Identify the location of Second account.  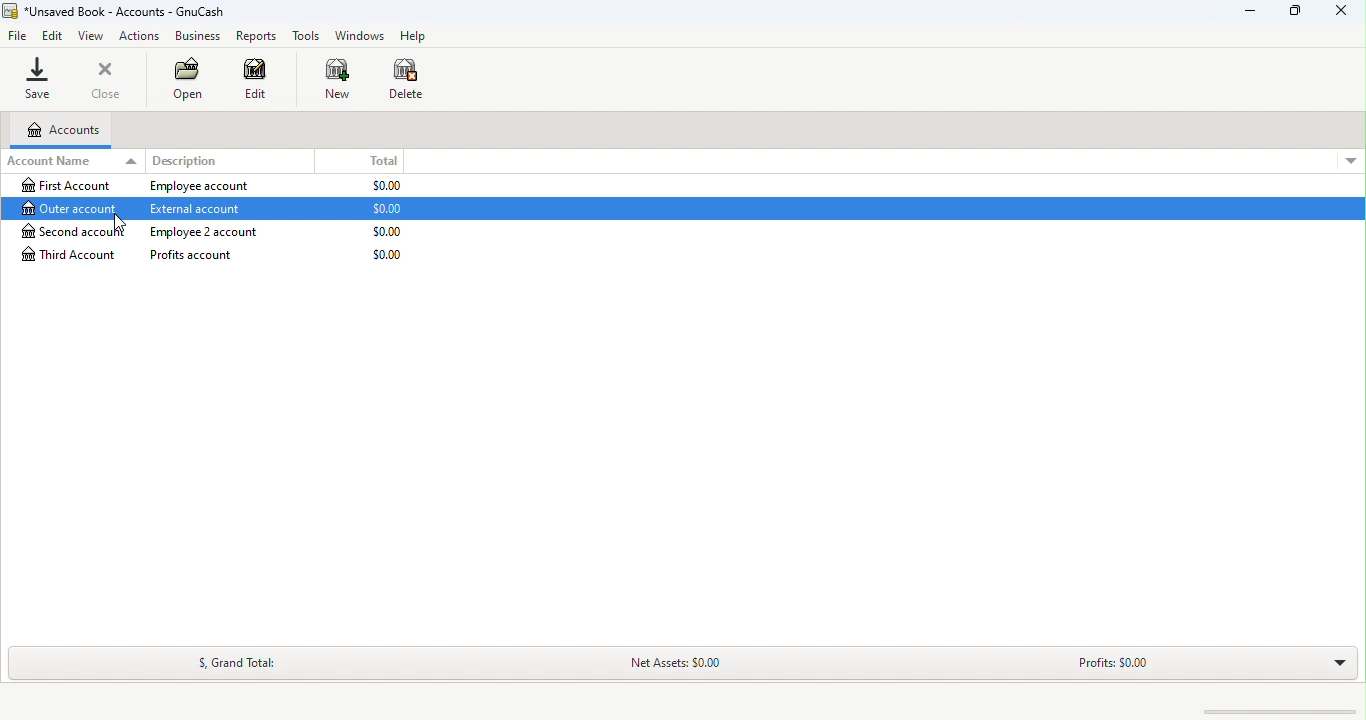
(220, 232).